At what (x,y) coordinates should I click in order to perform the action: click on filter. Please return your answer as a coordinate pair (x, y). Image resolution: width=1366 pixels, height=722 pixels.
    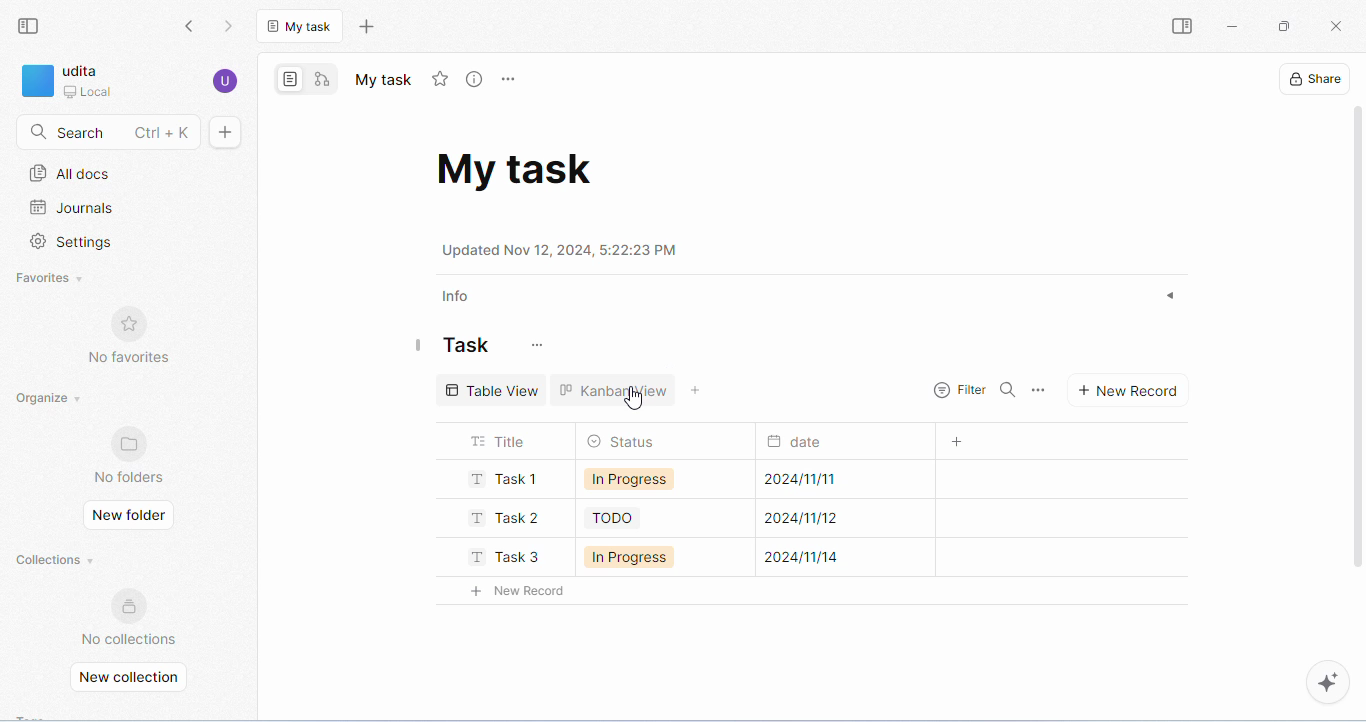
    Looking at the image, I should click on (959, 388).